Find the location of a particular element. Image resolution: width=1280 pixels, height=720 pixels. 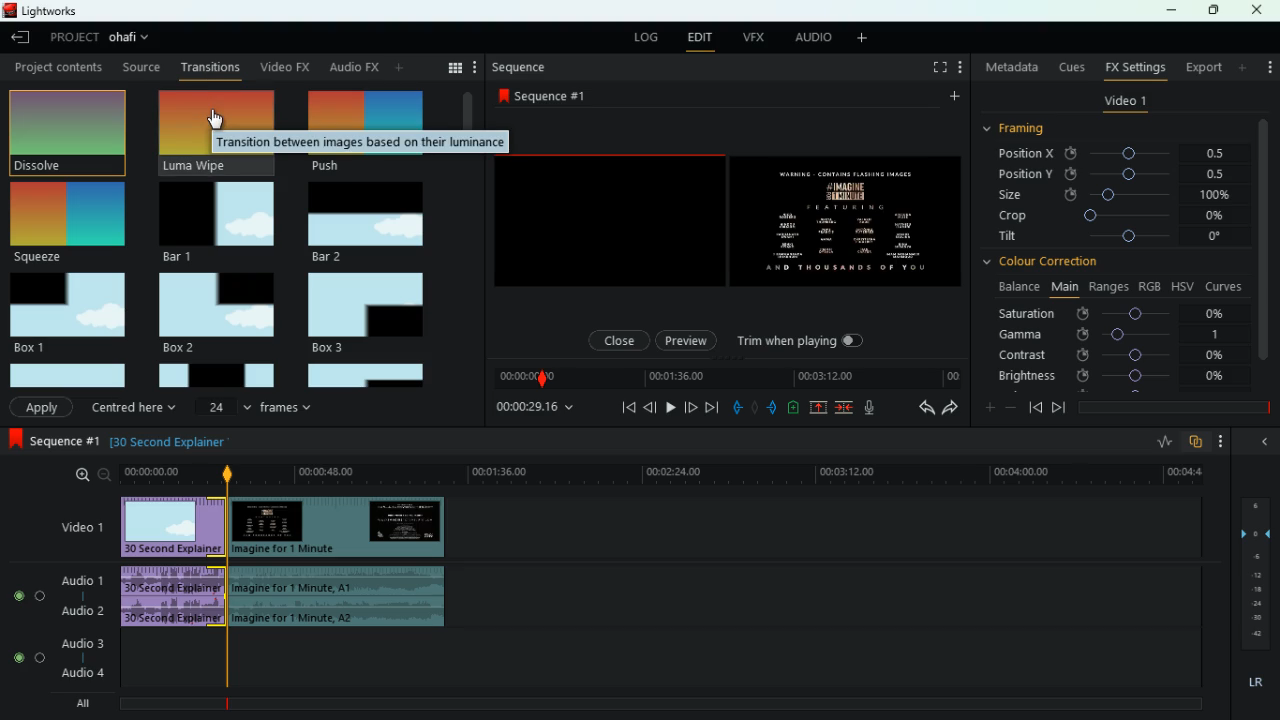

box 2 is located at coordinates (216, 313).